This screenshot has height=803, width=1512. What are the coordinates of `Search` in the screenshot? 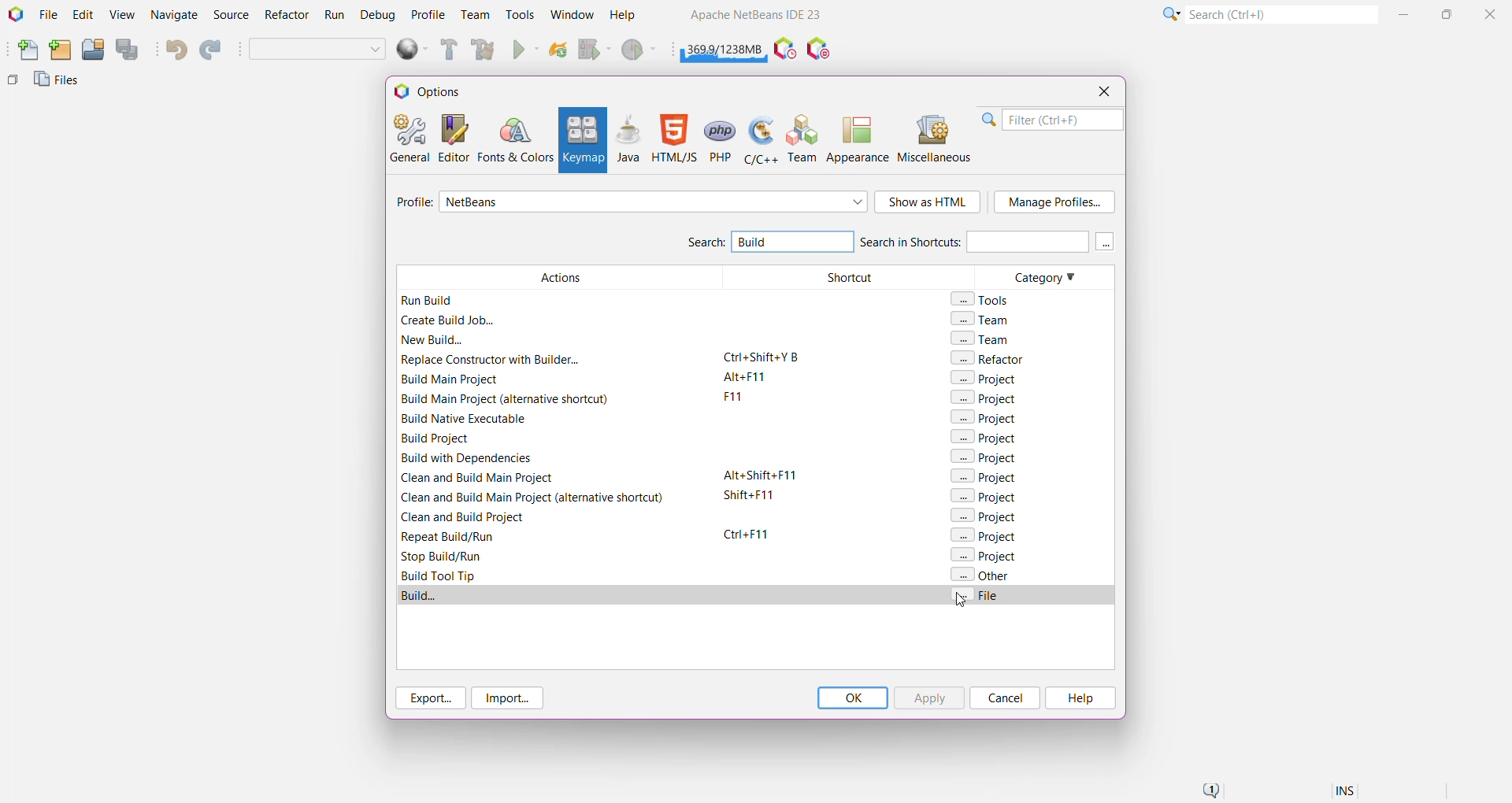 It's located at (1280, 13).